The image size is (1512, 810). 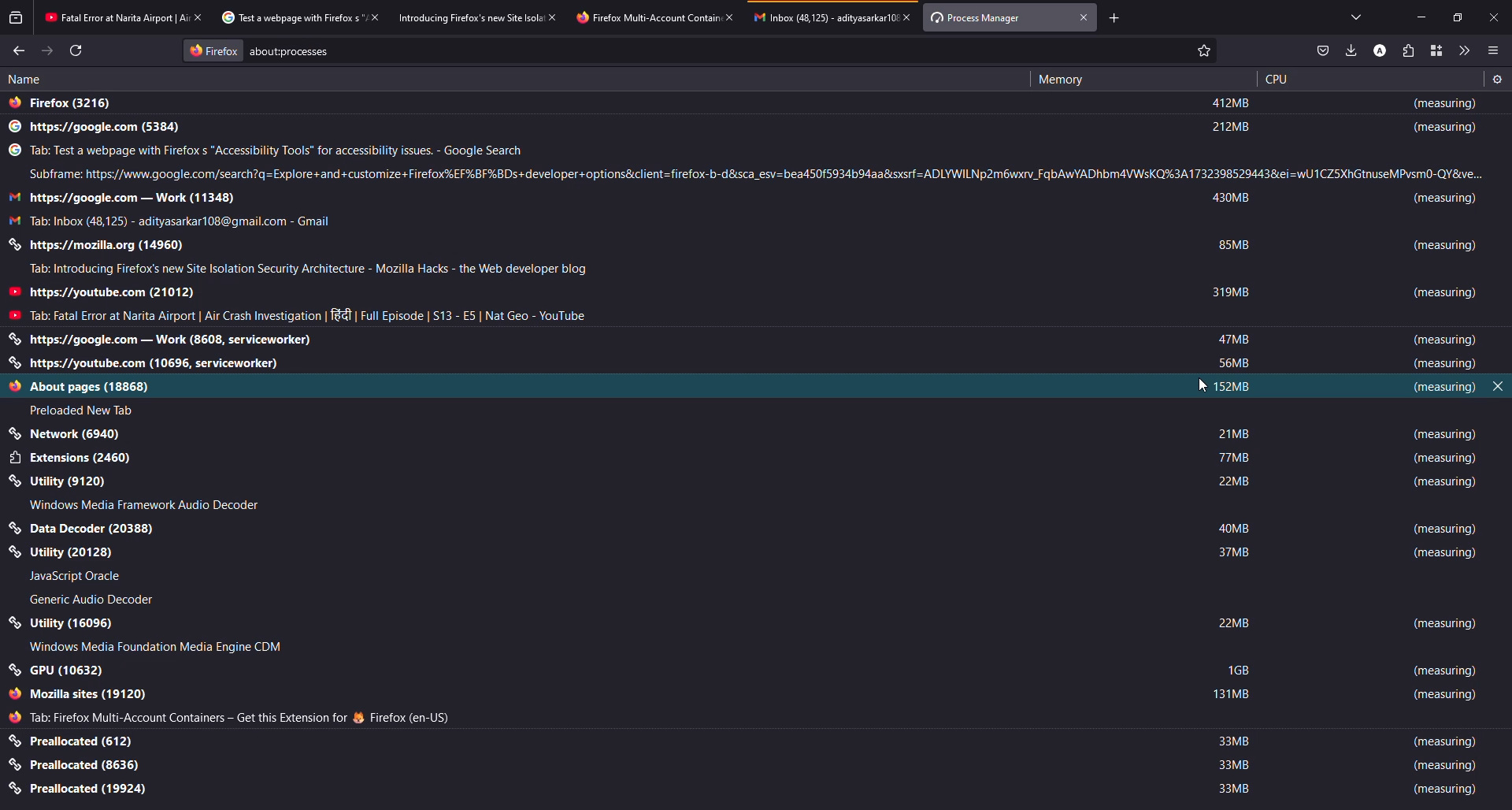 I want to click on Tab: test web page with Firefox's "accessibility tools" for accessibility issues - google search, so click(x=266, y=152).